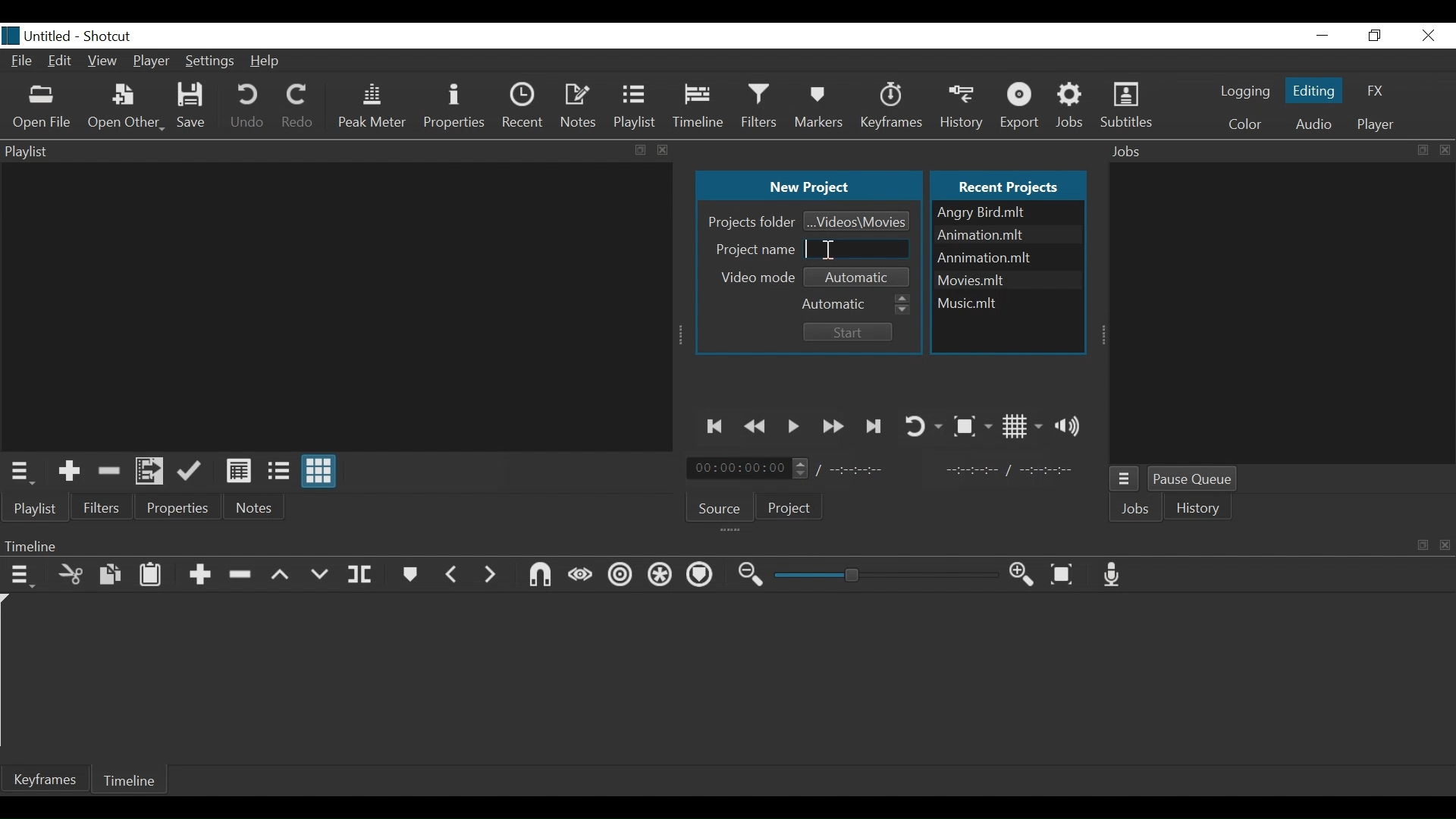  What do you see at coordinates (193, 472) in the screenshot?
I see `Update` at bounding box center [193, 472].